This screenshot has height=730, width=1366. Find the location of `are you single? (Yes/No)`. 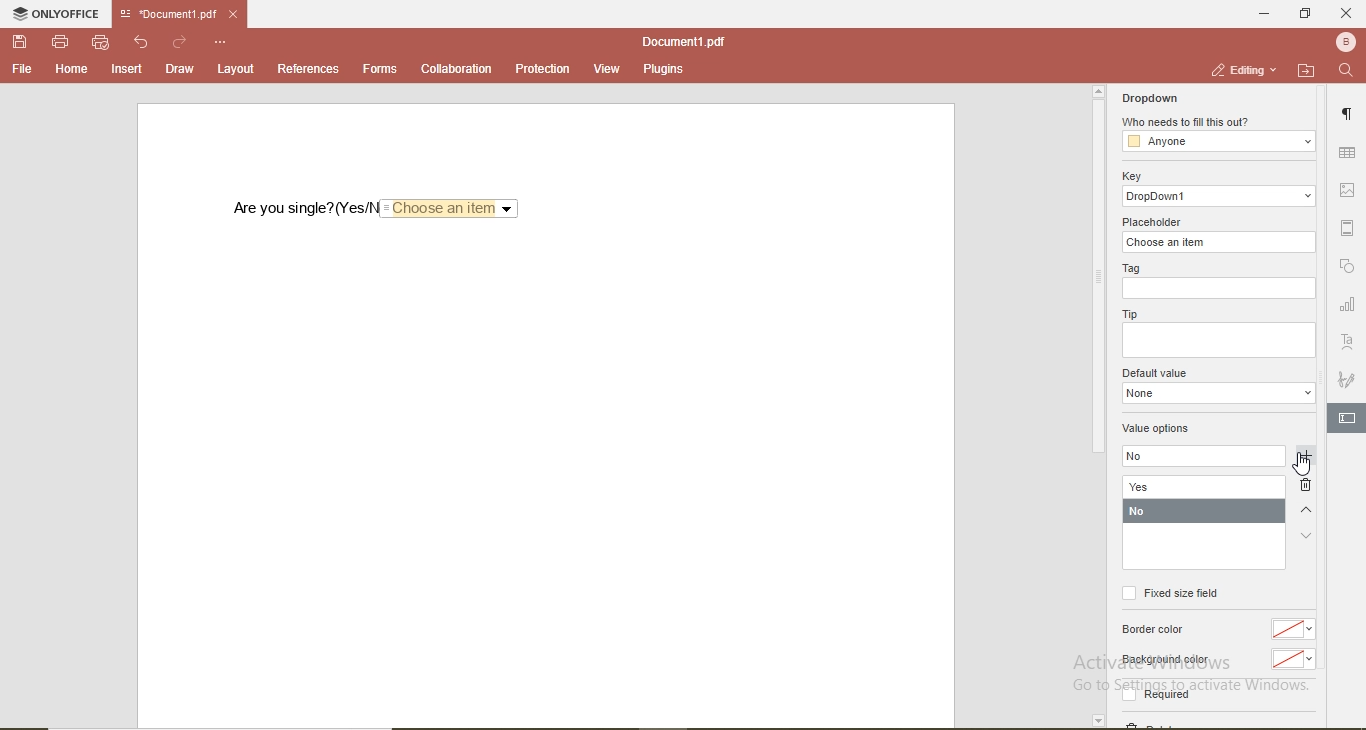

are you single? (Yes/No) is located at coordinates (304, 209).